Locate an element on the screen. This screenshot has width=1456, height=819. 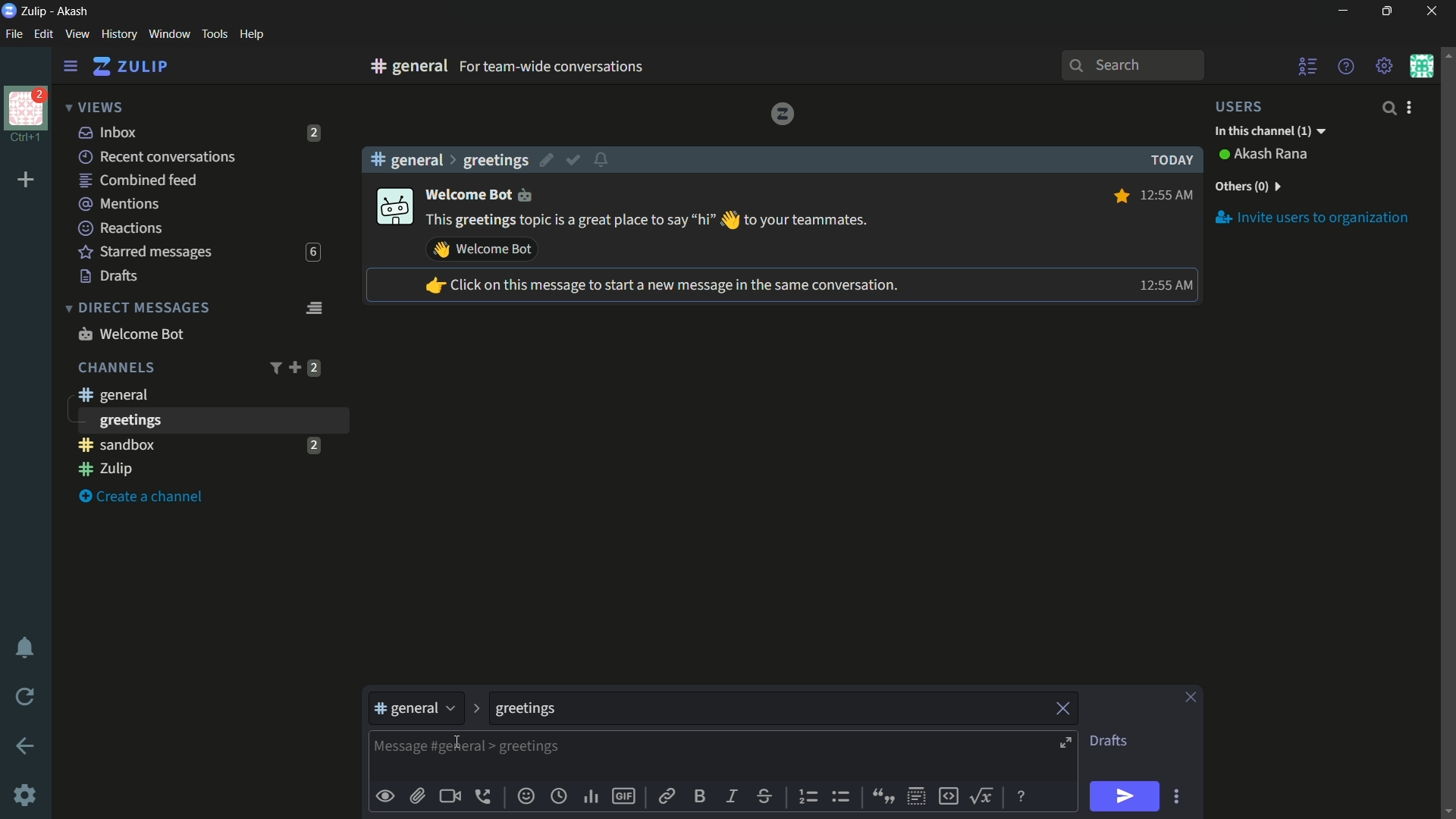
suggesting name to tag is located at coordinates (511, 715).